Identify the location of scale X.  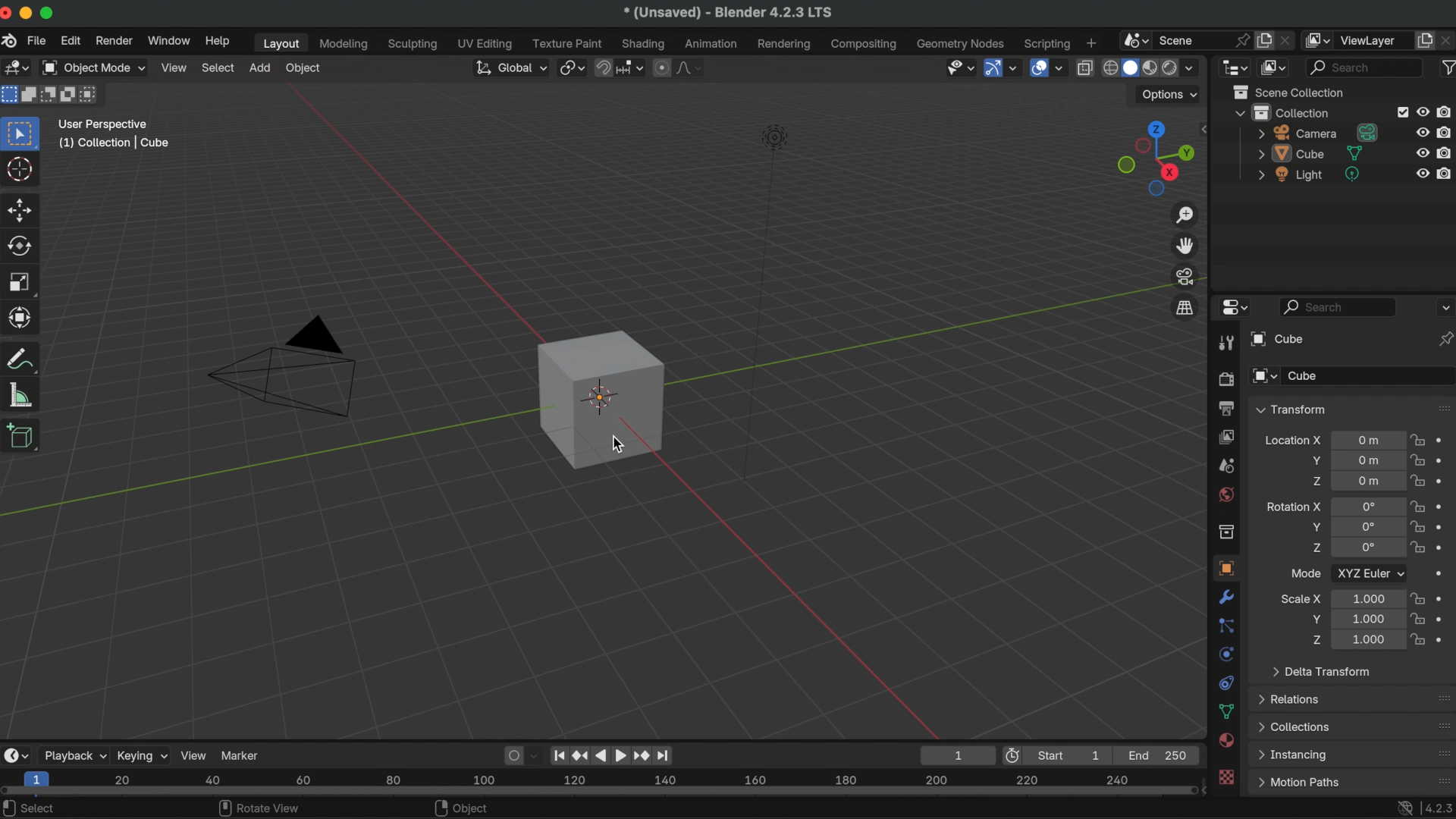
(1301, 598).